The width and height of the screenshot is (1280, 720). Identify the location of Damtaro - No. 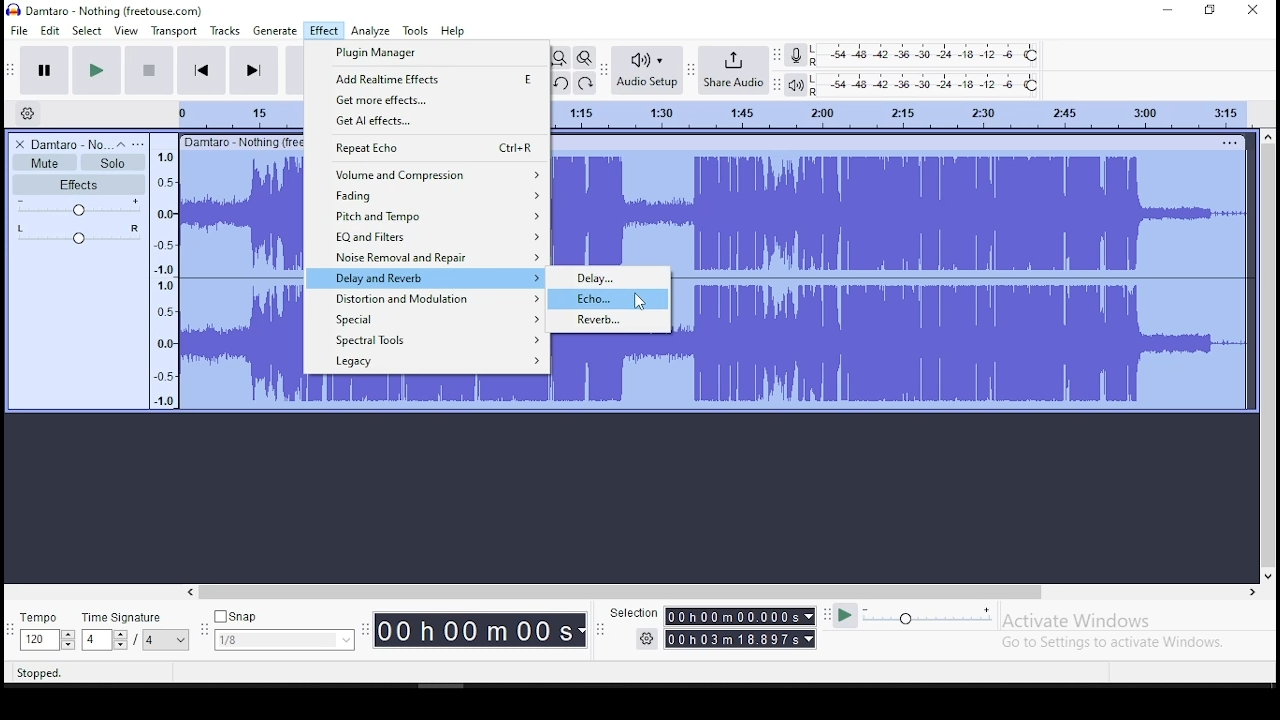
(71, 143).